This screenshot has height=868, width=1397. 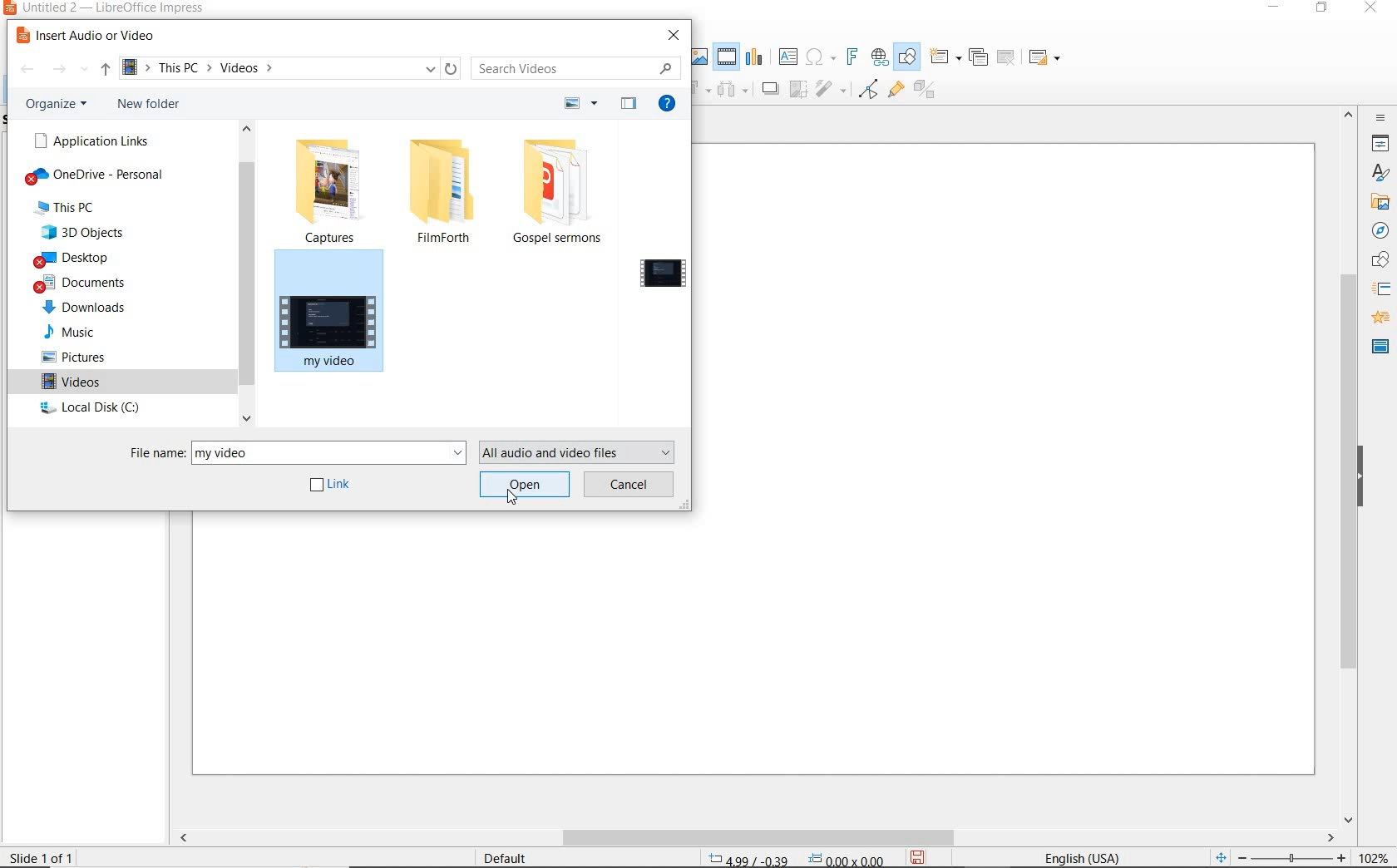 What do you see at coordinates (506, 856) in the screenshot?
I see `DEFAULT` at bounding box center [506, 856].